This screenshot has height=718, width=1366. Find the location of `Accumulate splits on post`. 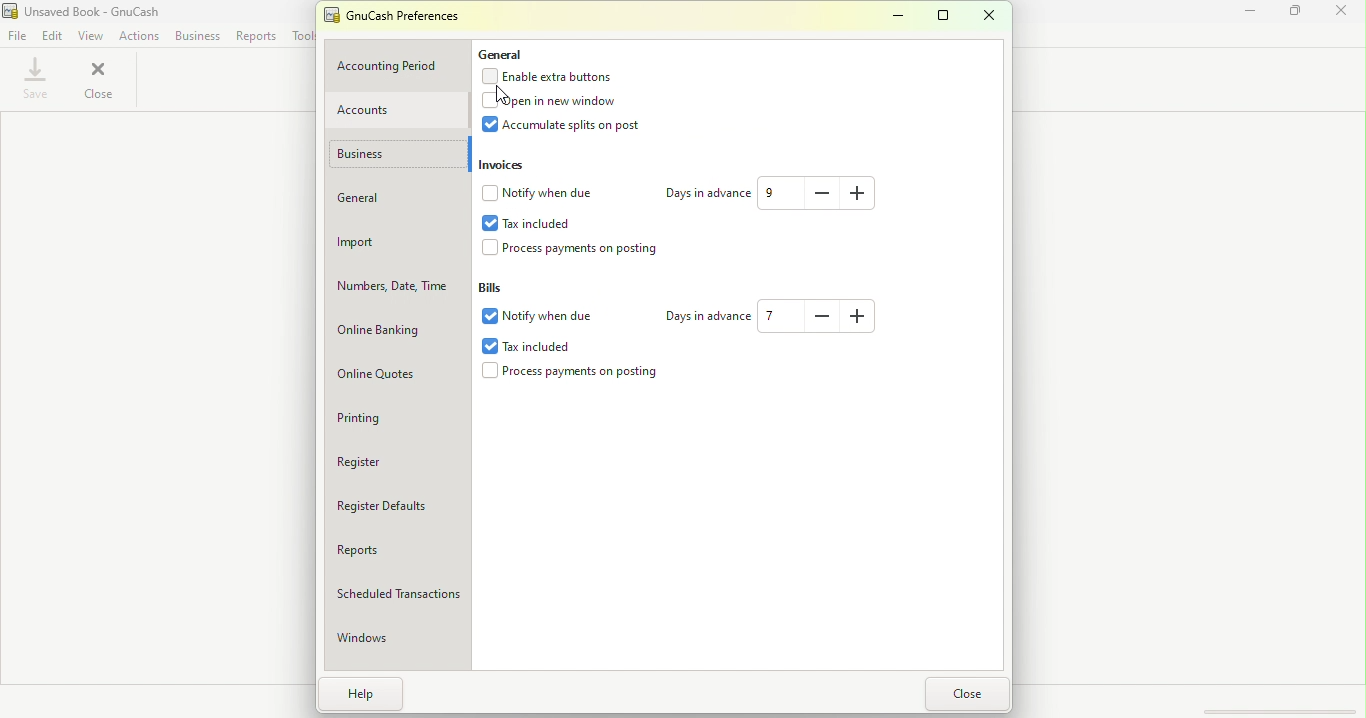

Accumulate splits on post is located at coordinates (568, 125).